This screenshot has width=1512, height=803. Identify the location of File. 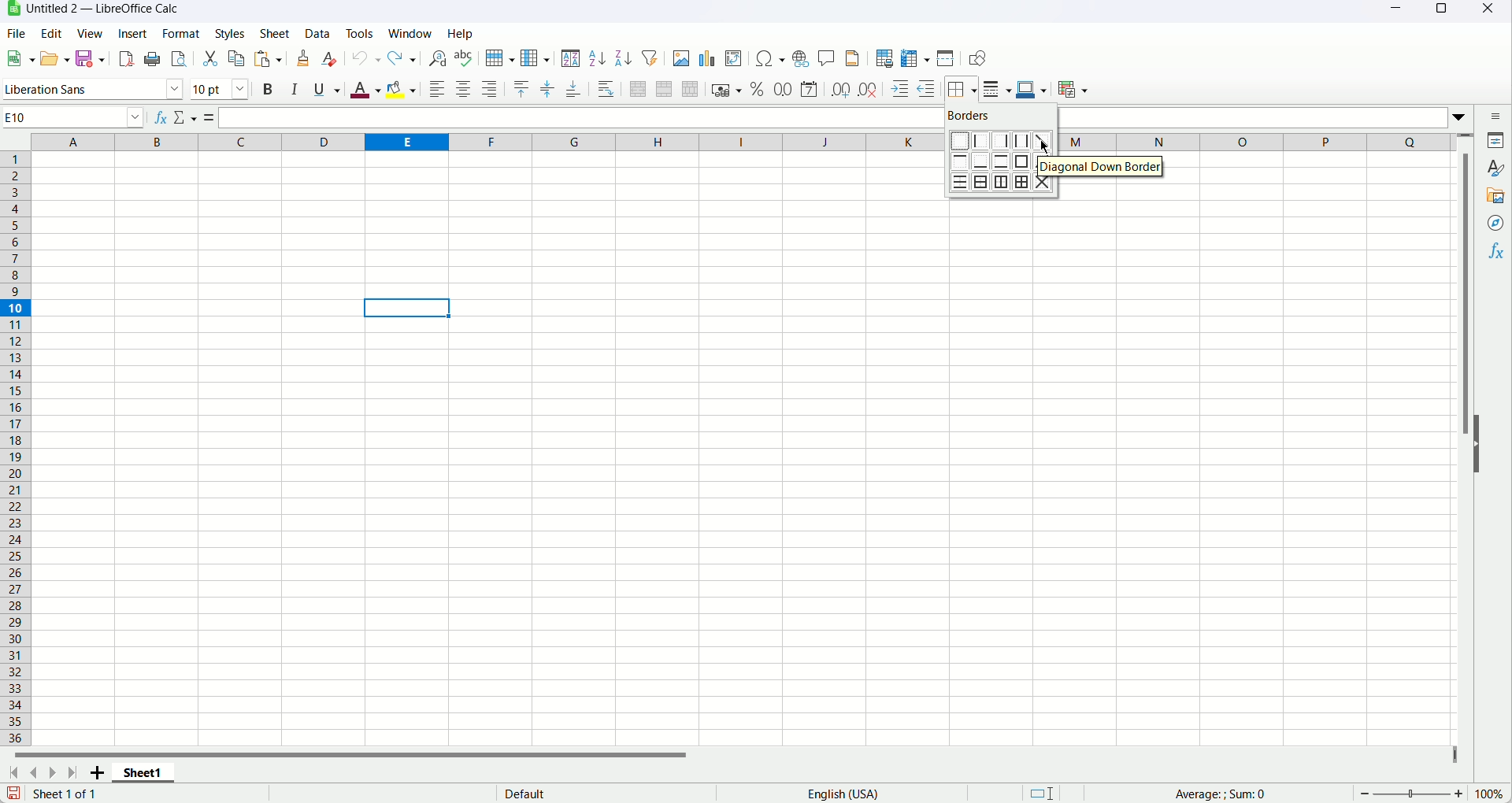
(17, 32).